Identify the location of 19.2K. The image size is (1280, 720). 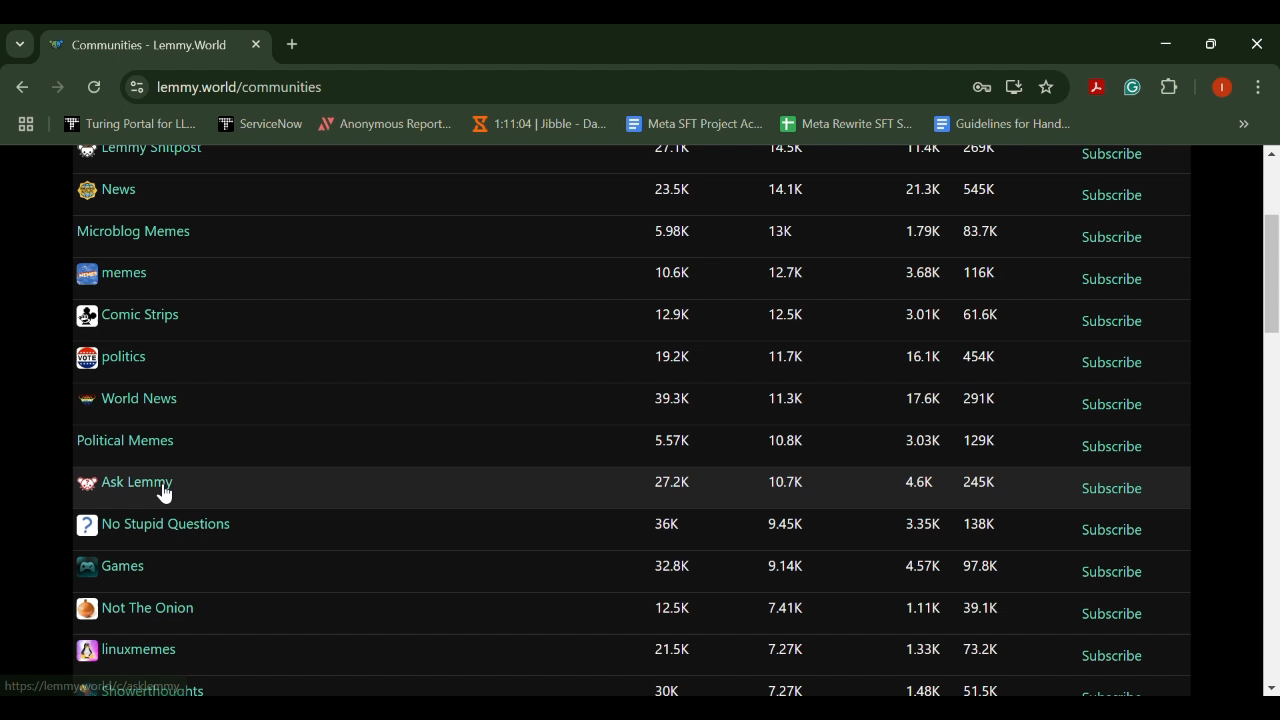
(674, 355).